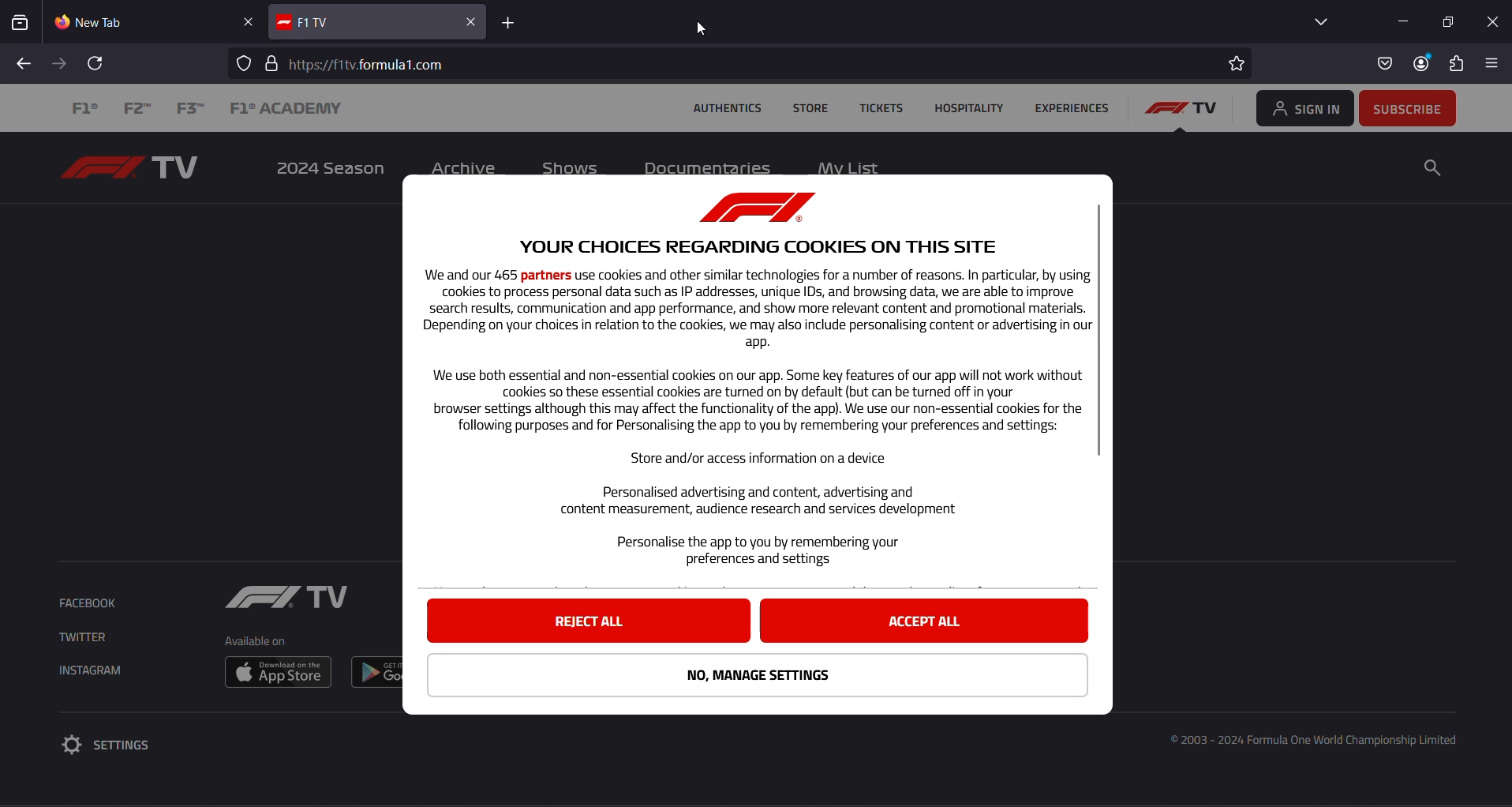  Describe the element at coordinates (24, 23) in the screenshot. I see `view recent browsing across windows` at that location.